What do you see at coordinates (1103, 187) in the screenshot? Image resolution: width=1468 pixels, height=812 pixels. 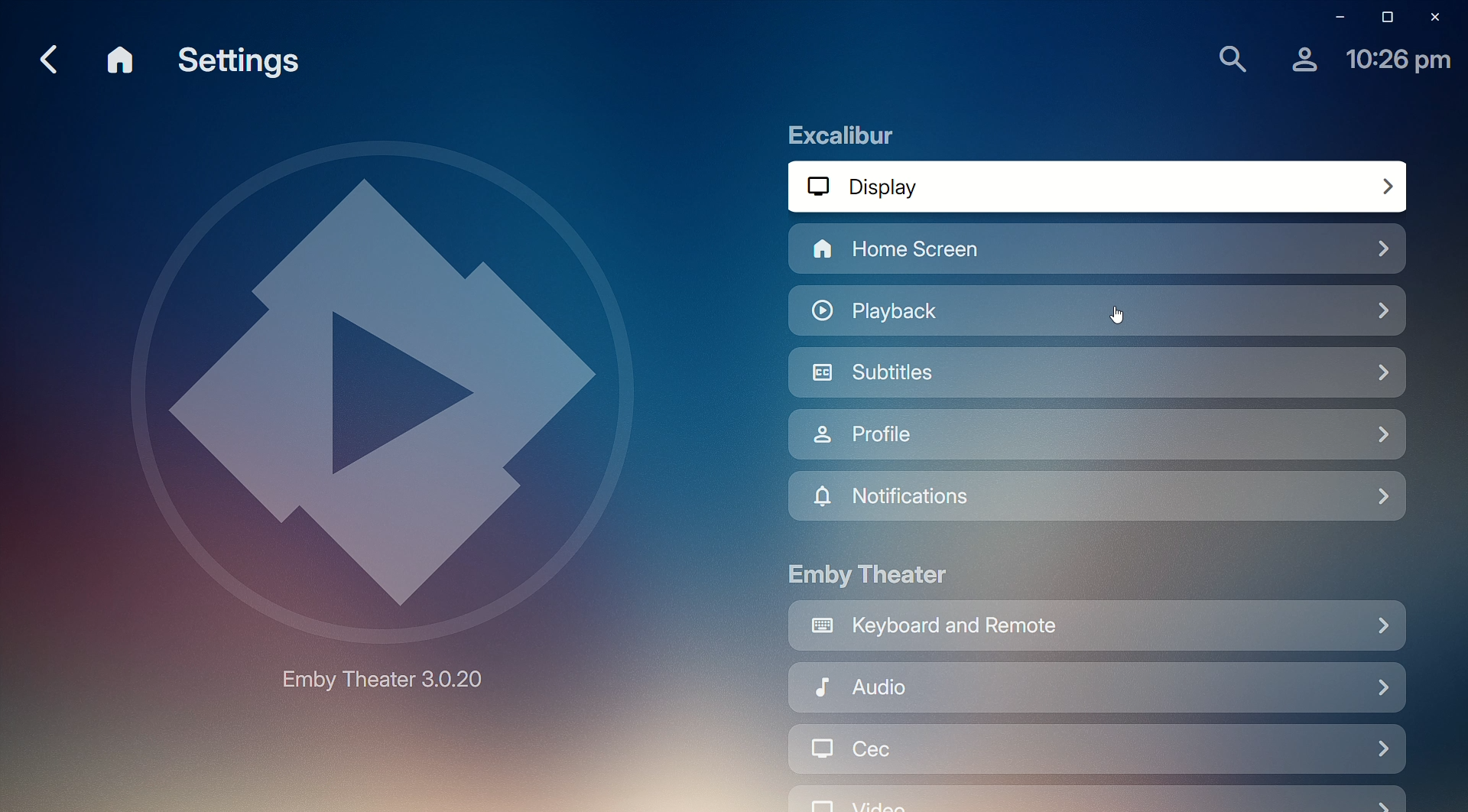 I see `Display` at bounding box center [1103, 187].